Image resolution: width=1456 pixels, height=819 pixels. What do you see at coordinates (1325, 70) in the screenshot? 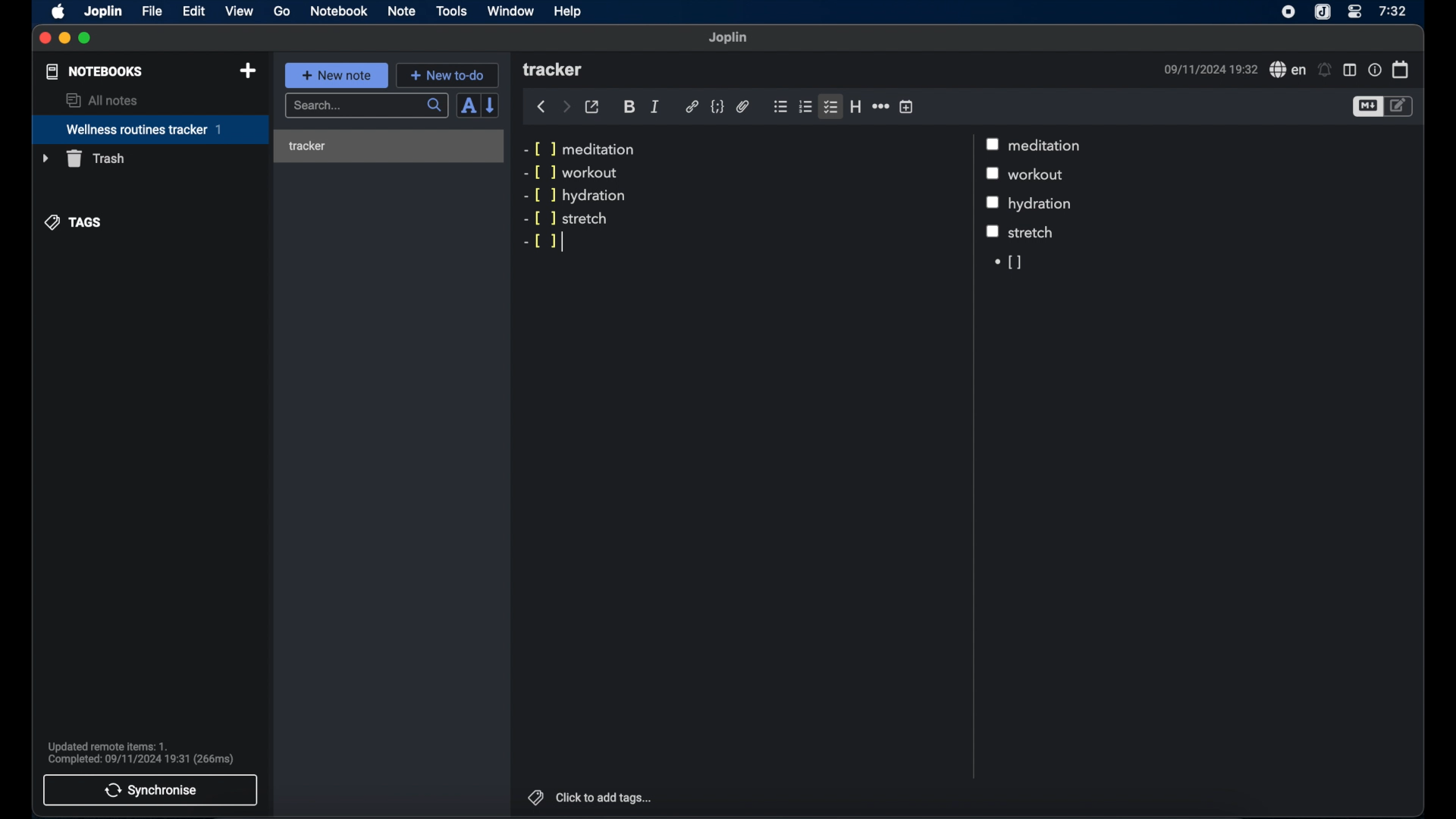
I see `set alarms` at bounding box center [1325, 70].